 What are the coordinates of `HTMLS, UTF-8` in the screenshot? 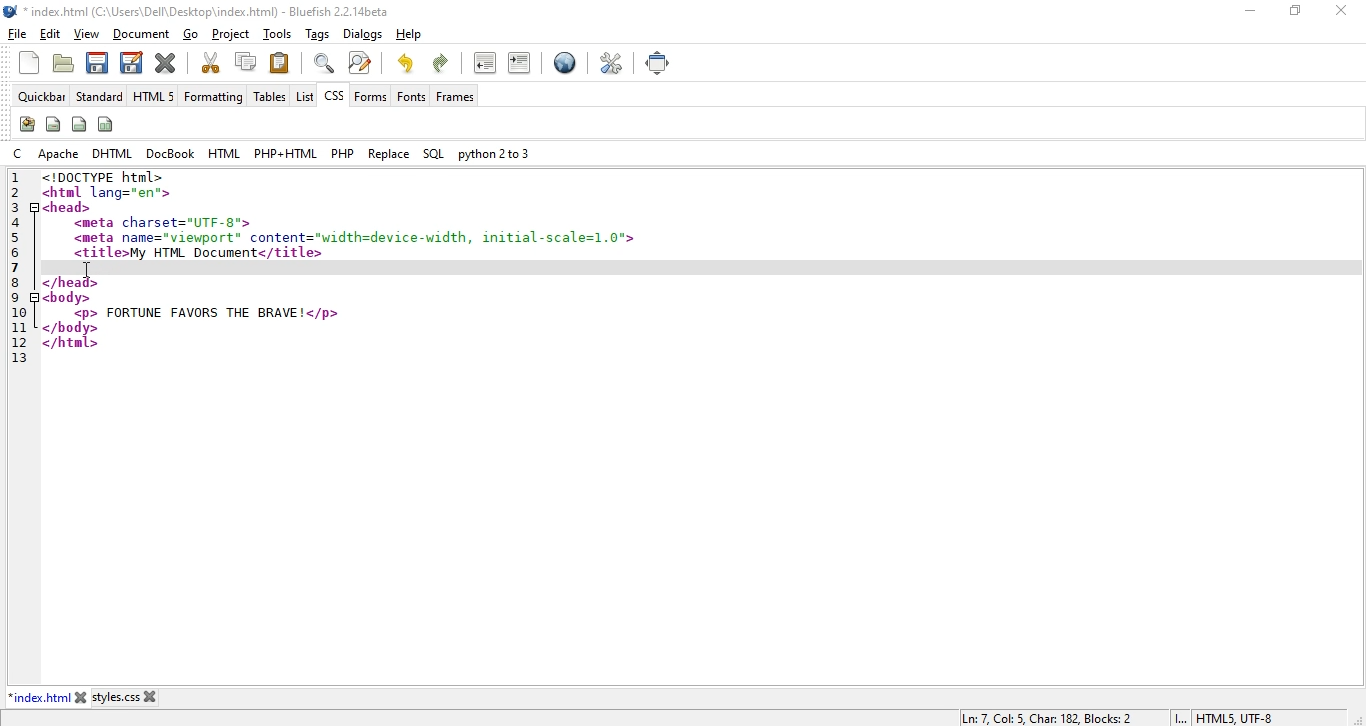 It's located at (1235, 718).